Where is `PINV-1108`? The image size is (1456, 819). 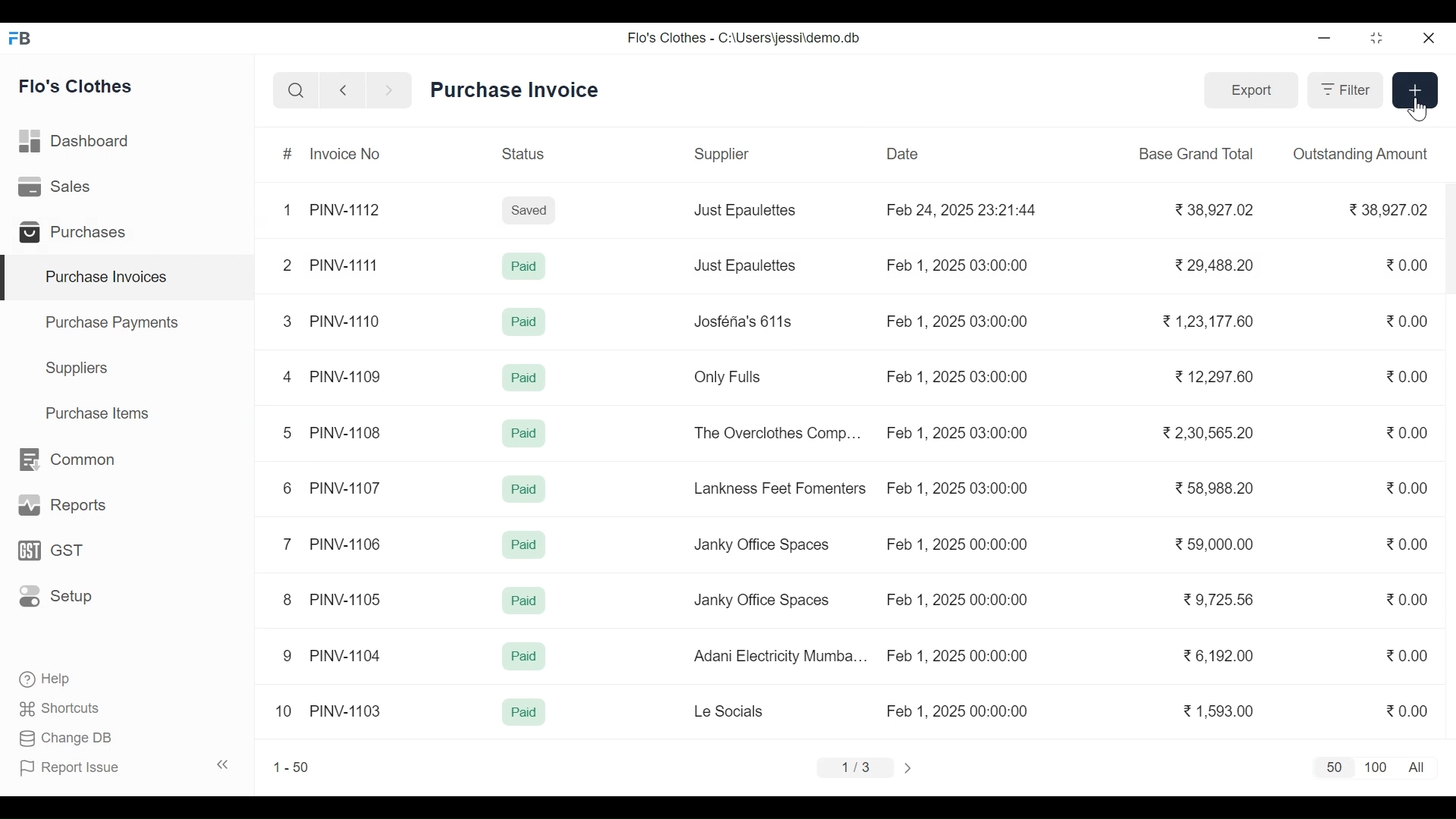 PINV-1108 is located at coordinates (347, 431).